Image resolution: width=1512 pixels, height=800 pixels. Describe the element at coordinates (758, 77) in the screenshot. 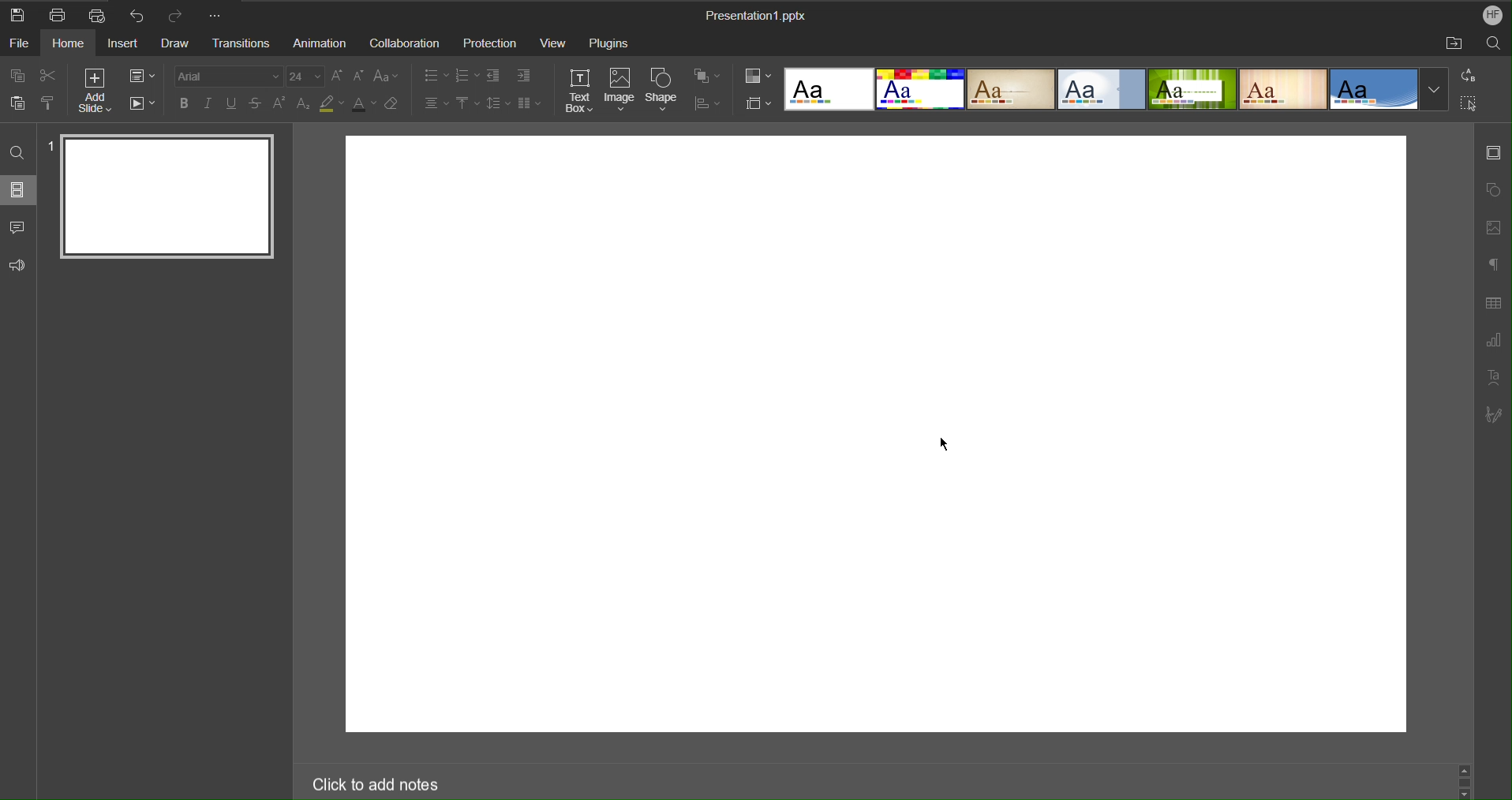

I see `Colors` at that location.